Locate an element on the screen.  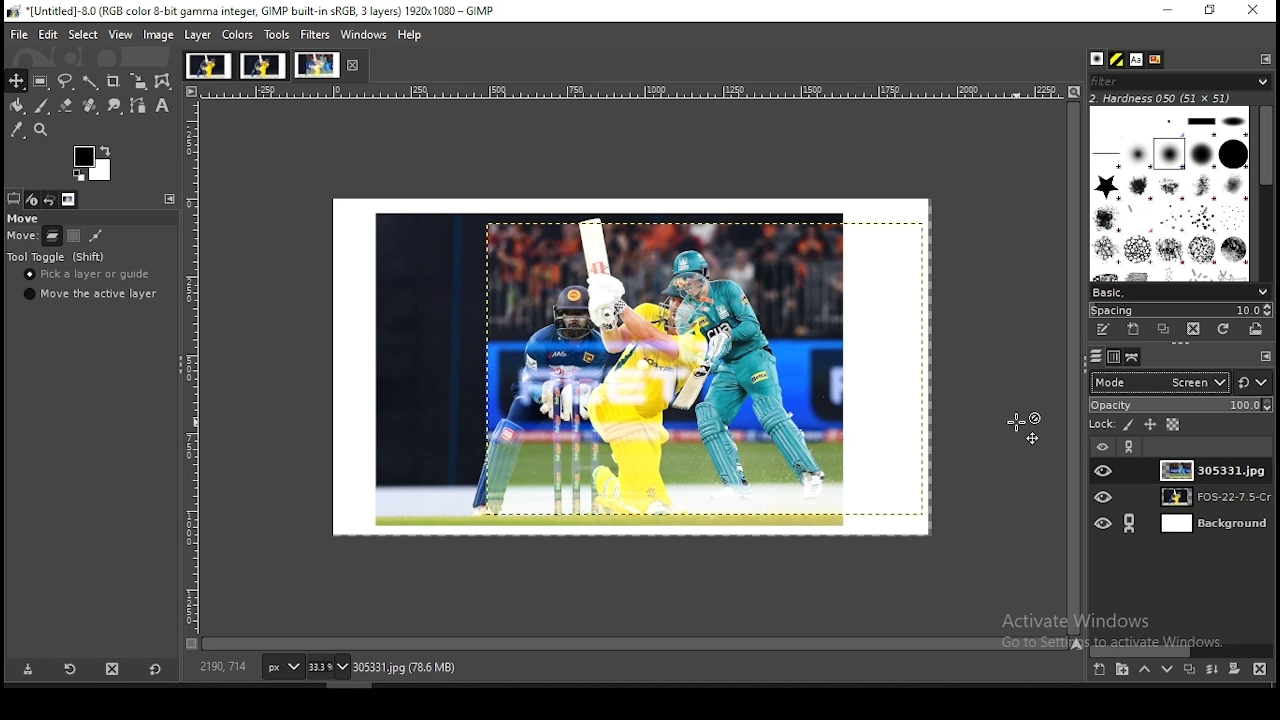
tool toggle is located at coordinates (57, 256).